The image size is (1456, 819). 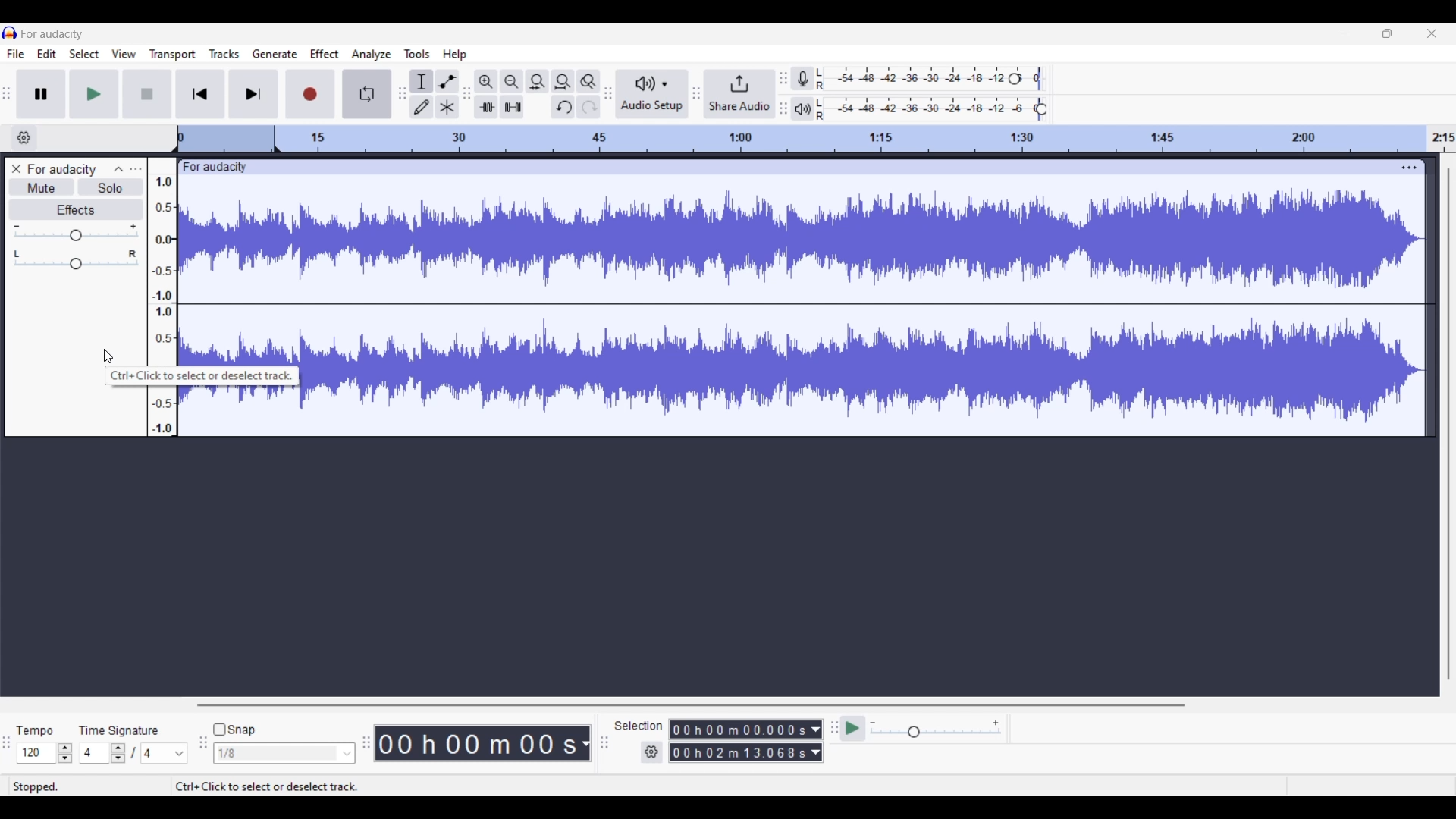 I want to click on Skip/Select to start, so click(x=200, y=94).